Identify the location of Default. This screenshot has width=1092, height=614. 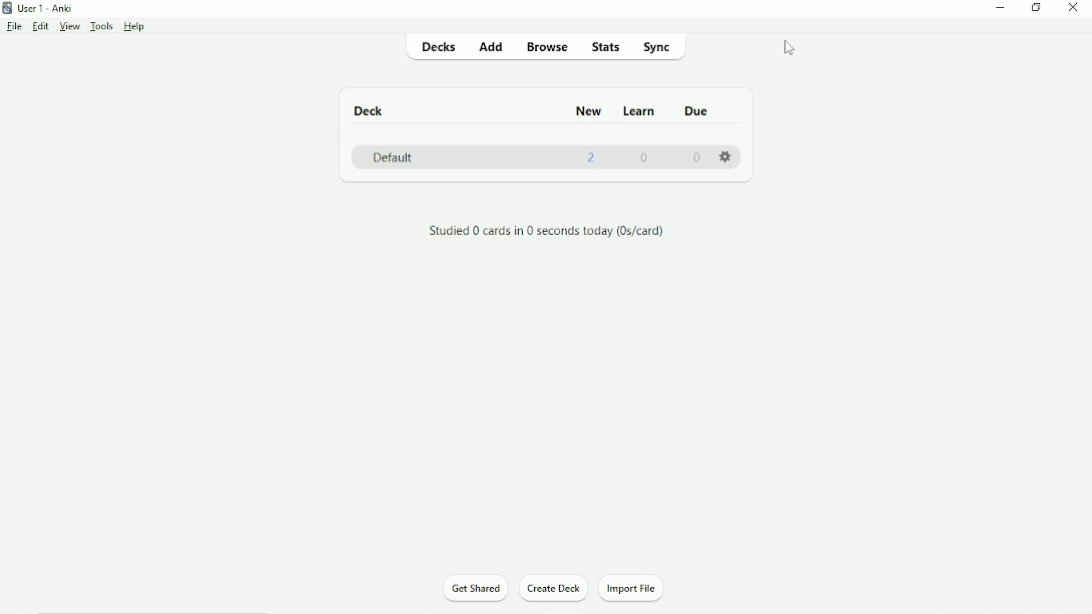
(395, 157).